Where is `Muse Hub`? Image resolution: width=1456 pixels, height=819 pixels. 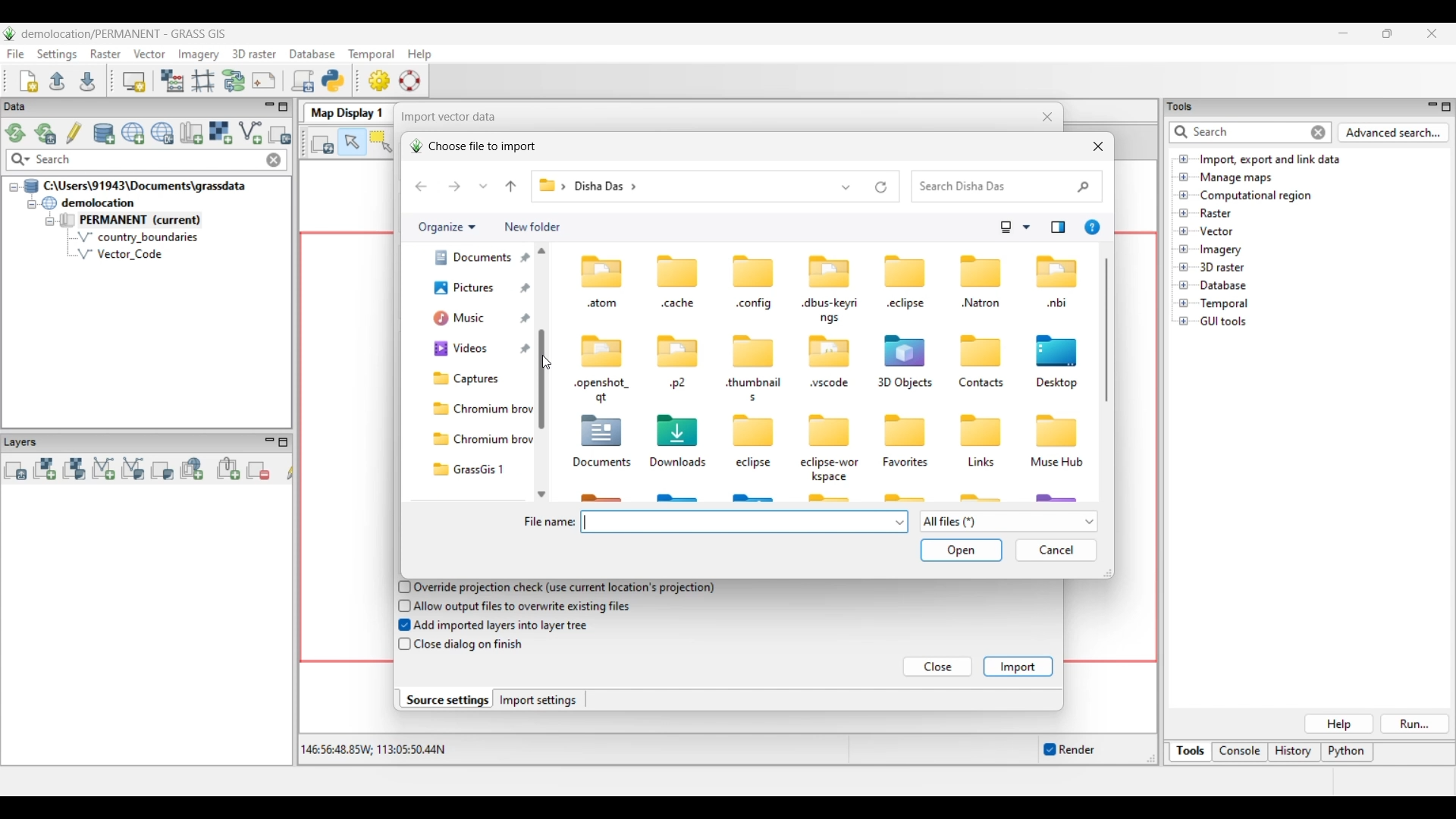 Muse Hub is located at coordinates (1057, 463).